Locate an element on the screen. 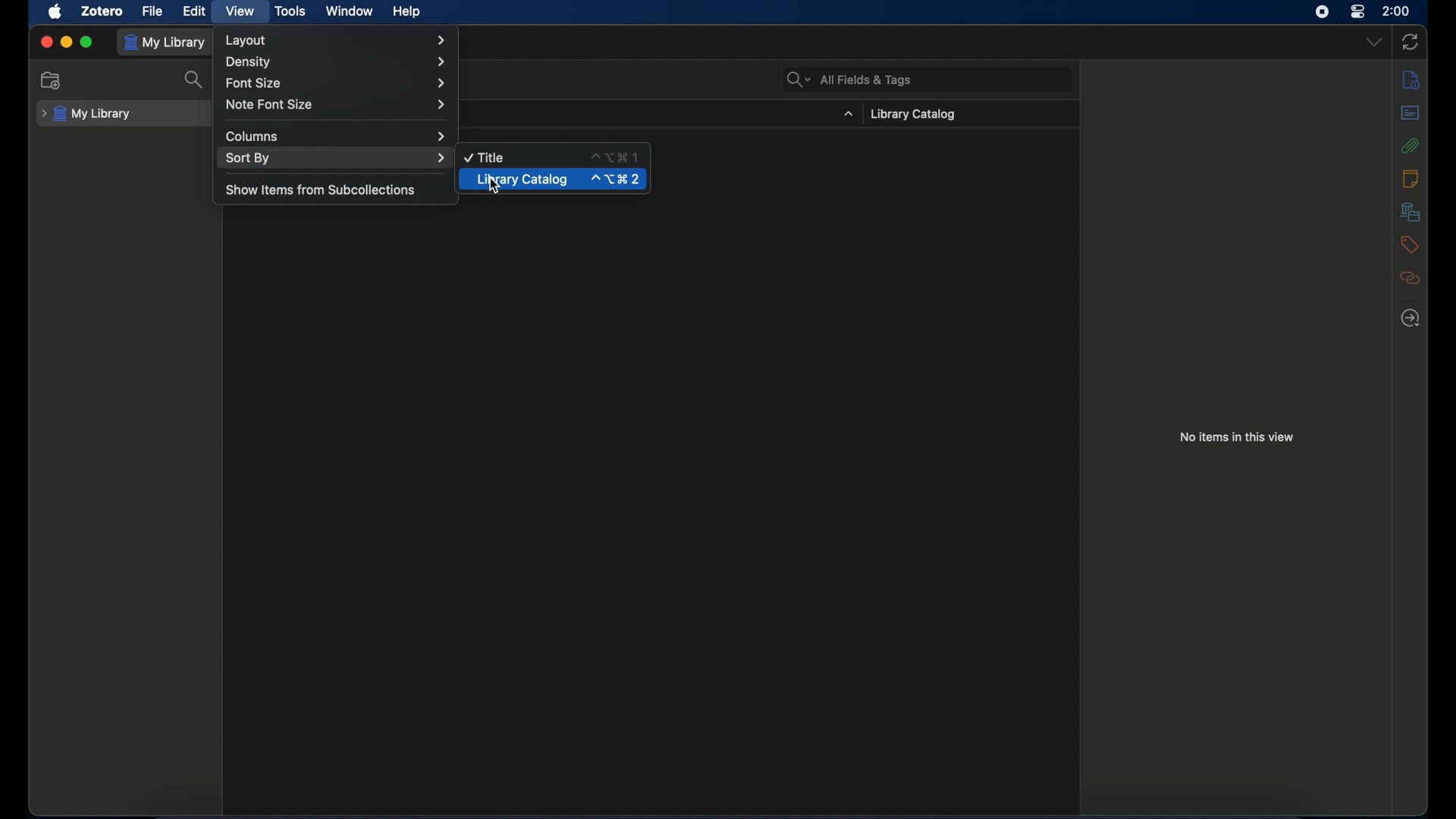  file is located at coordinates (153, 11).